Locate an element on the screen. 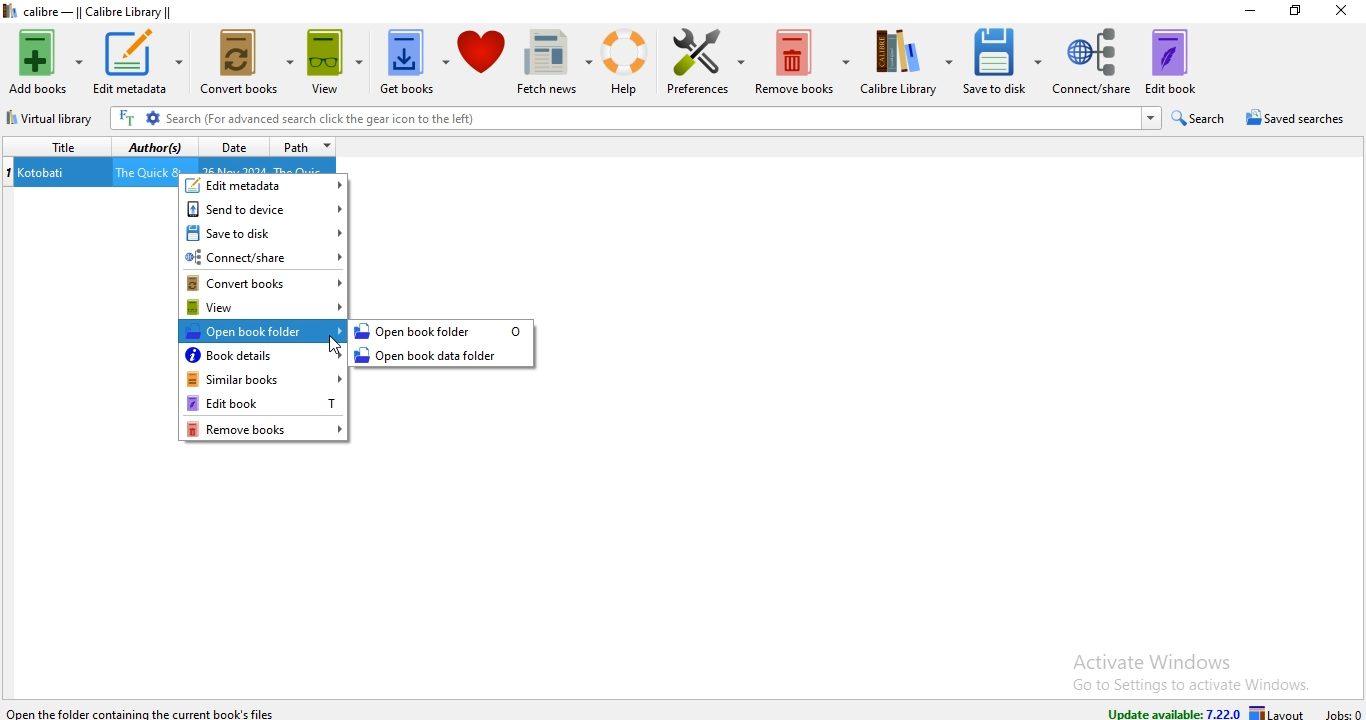 The height and width of the screenshot is (720, 1366). help is located at coordinates (624, 61).